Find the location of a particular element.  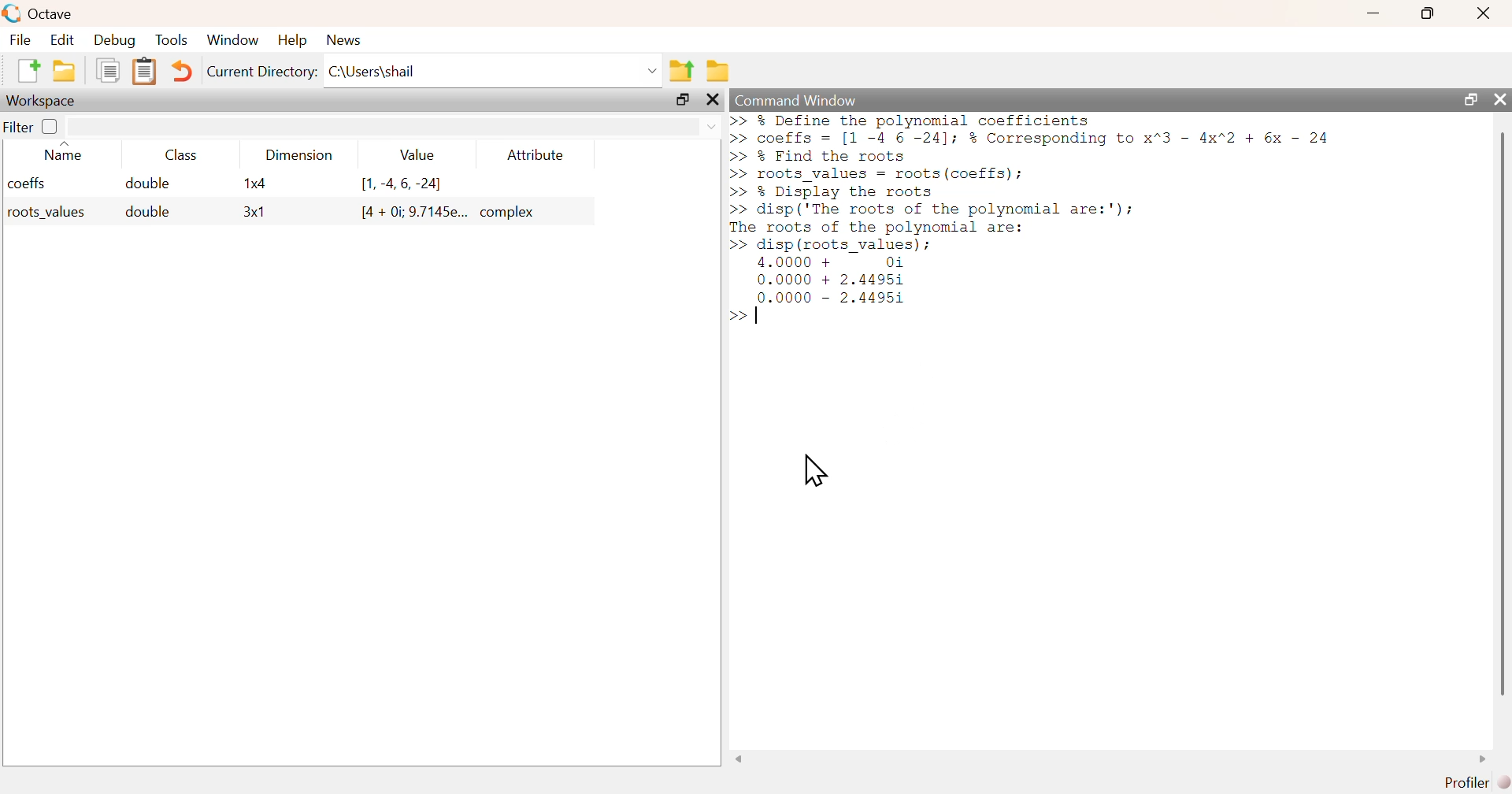

Duplicate is located at coordinates (109, 72).